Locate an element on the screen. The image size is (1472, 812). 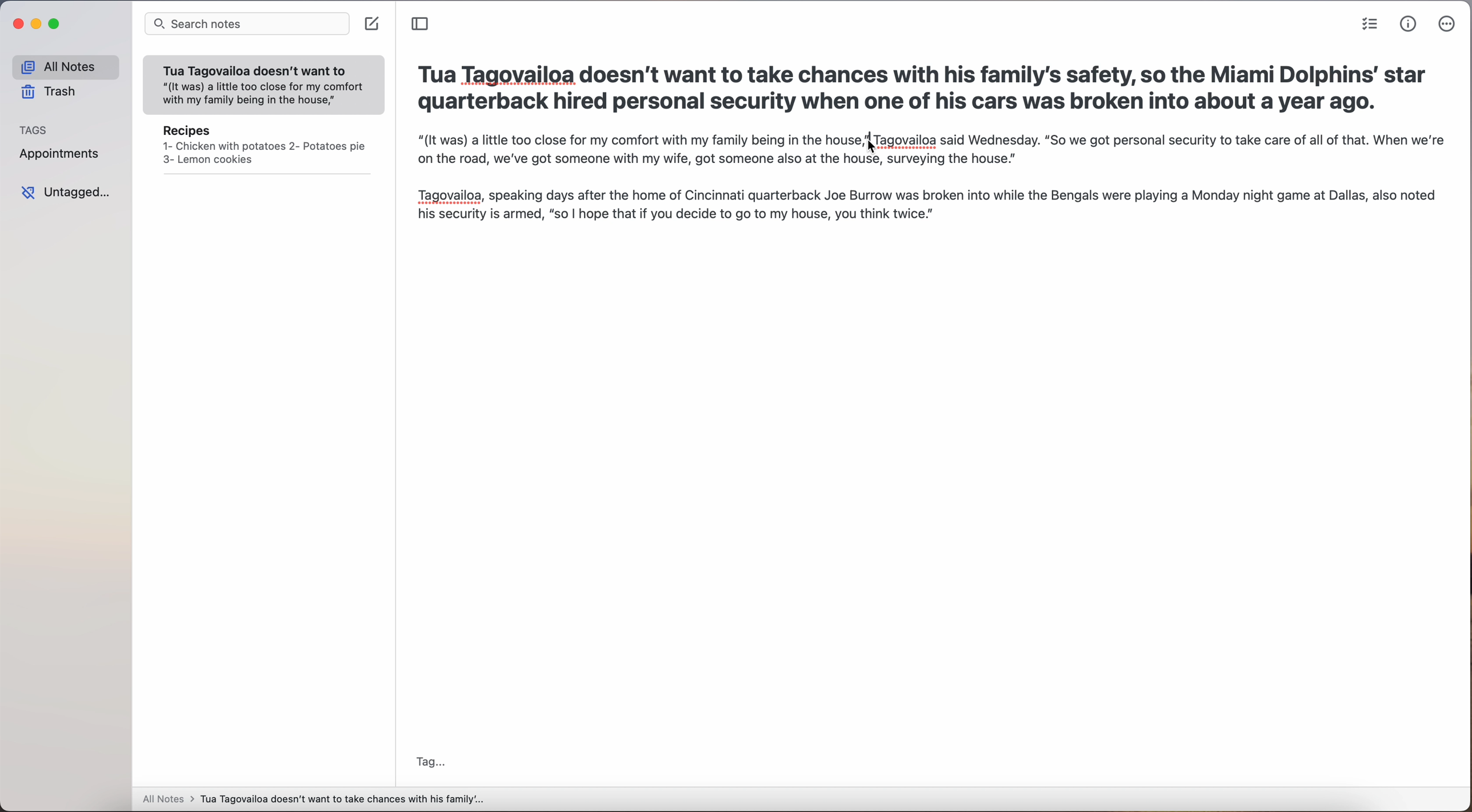
untagged is located at coordinates (65, 193).